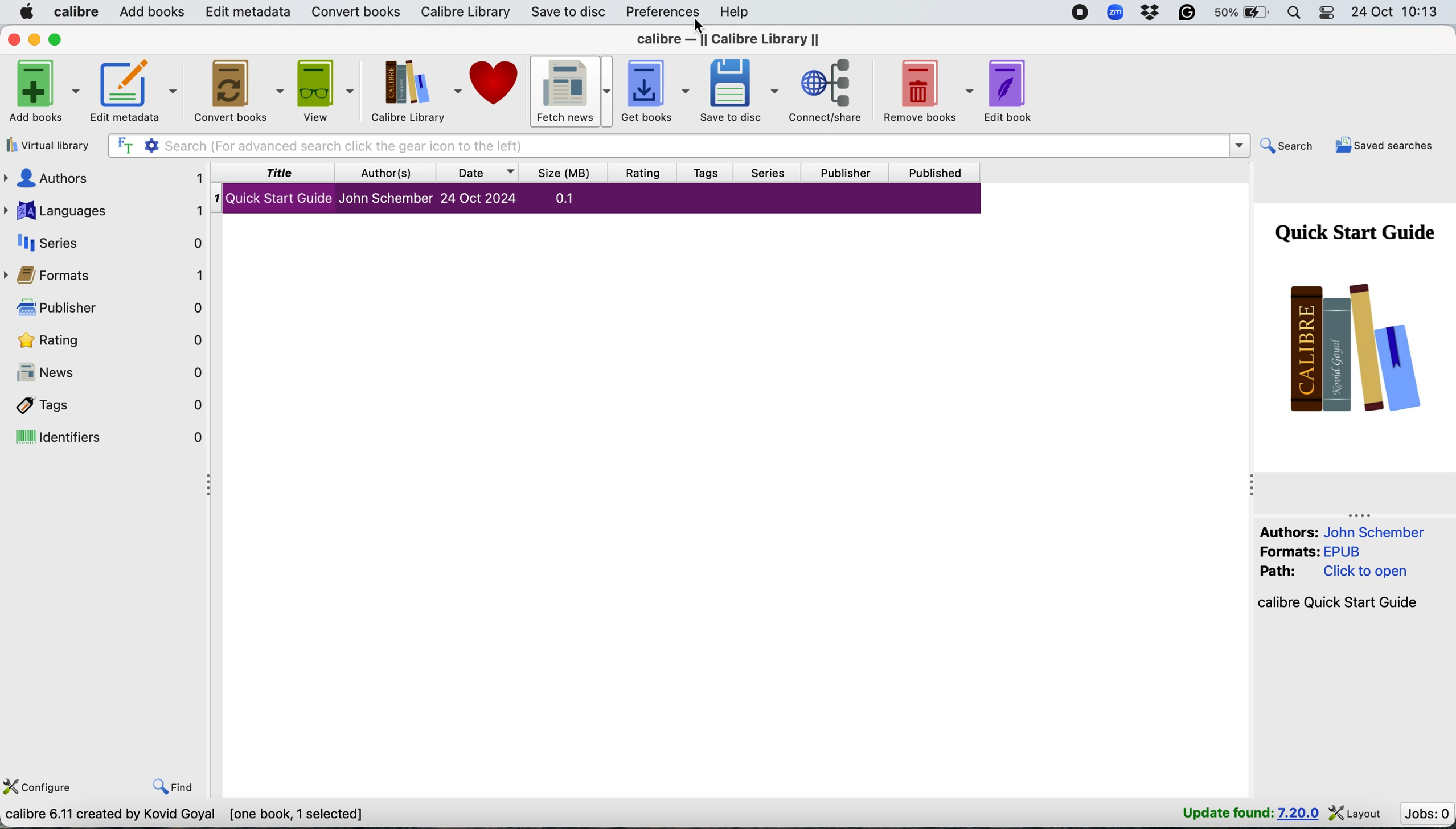  I want to click on calibre, so click(76, 11).